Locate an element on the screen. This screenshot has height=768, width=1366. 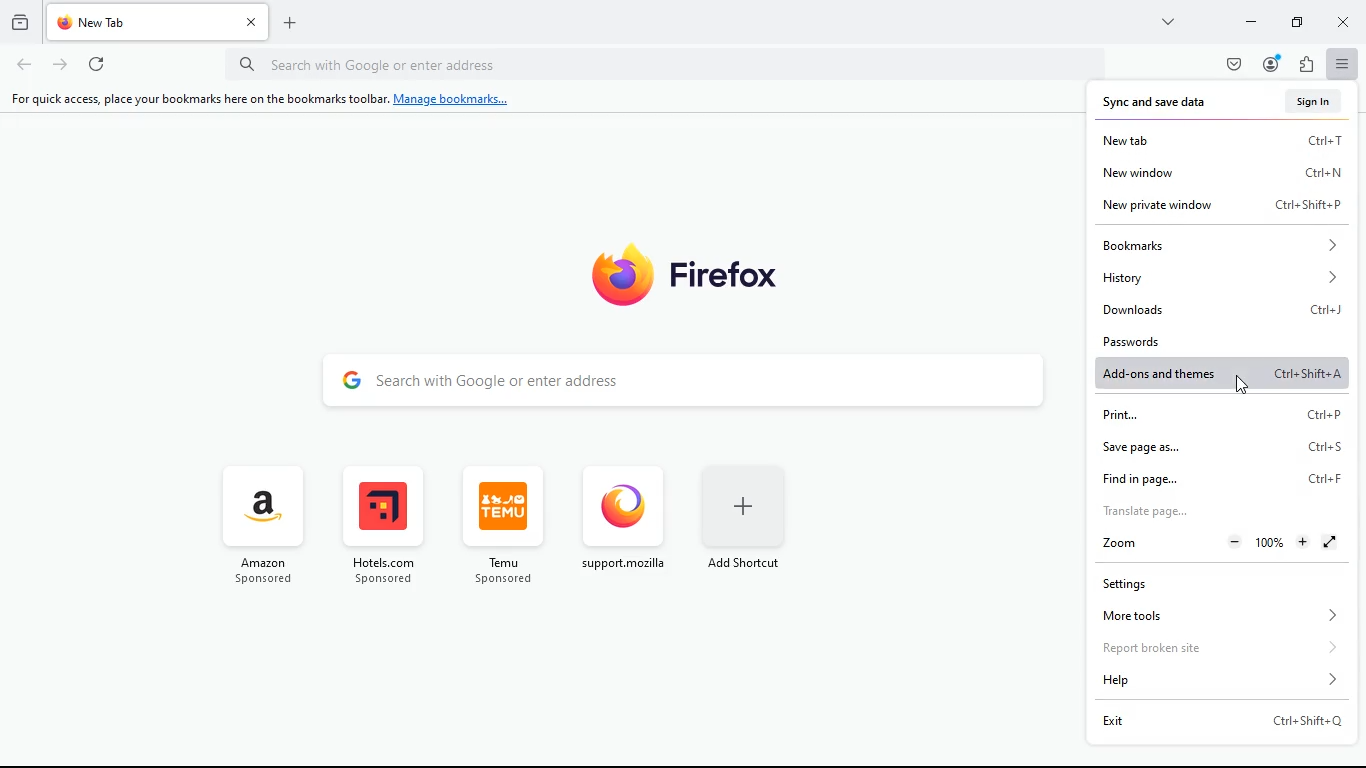
minimize is located at coordinates (1247, 24).